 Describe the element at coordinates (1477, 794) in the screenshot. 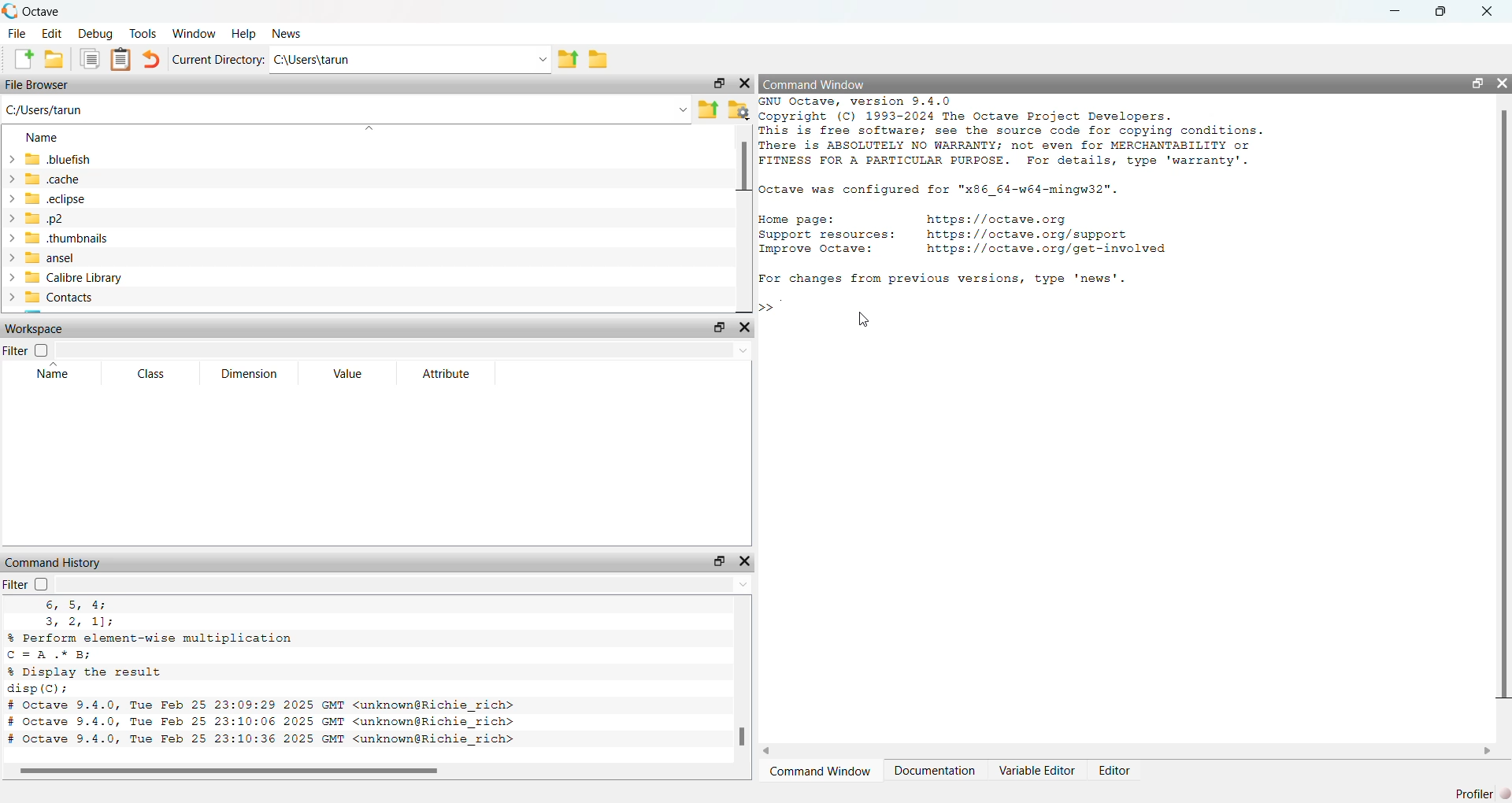

I see `Profiler` at that location.